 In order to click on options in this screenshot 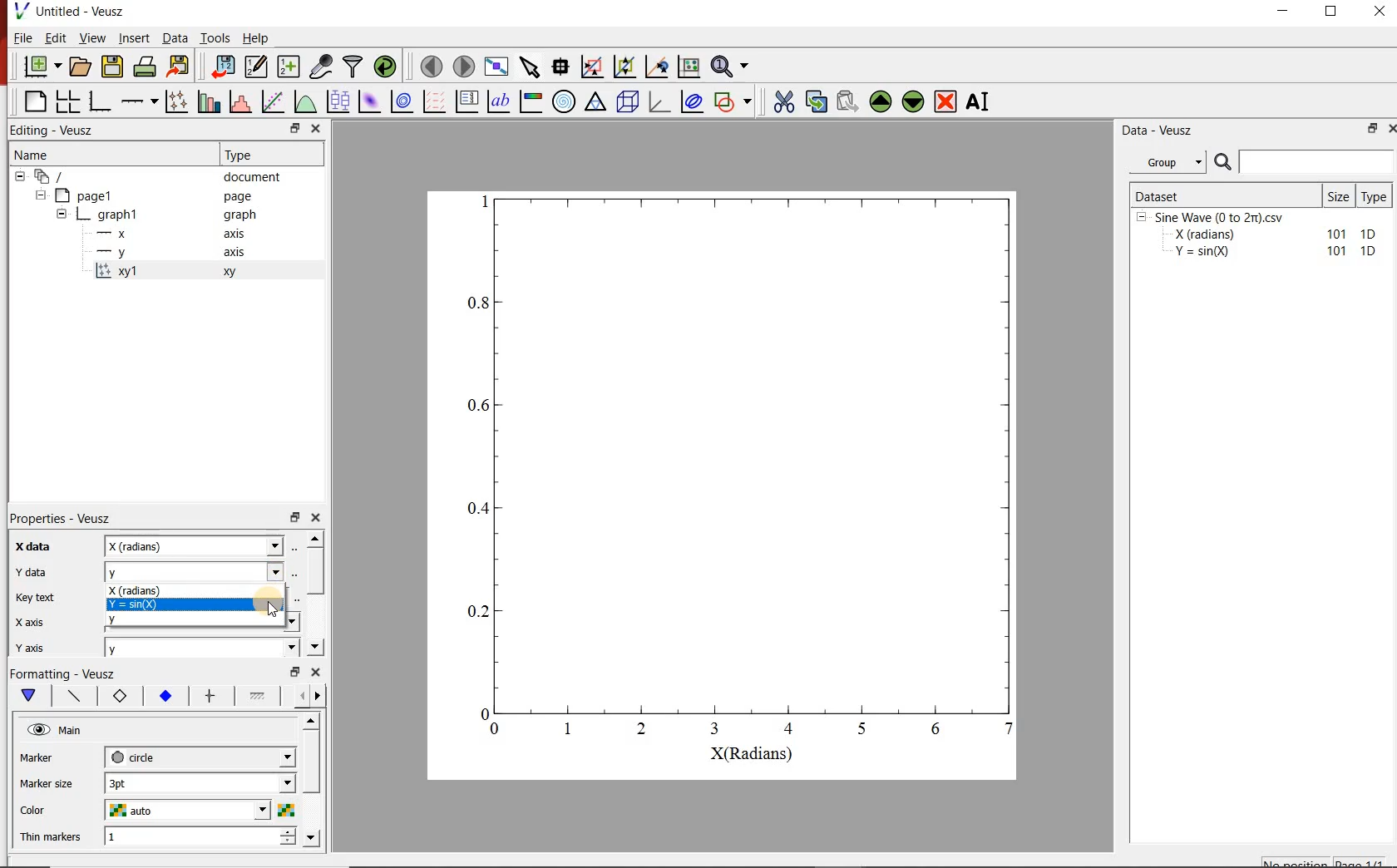, I will do `click(71, 694)`.